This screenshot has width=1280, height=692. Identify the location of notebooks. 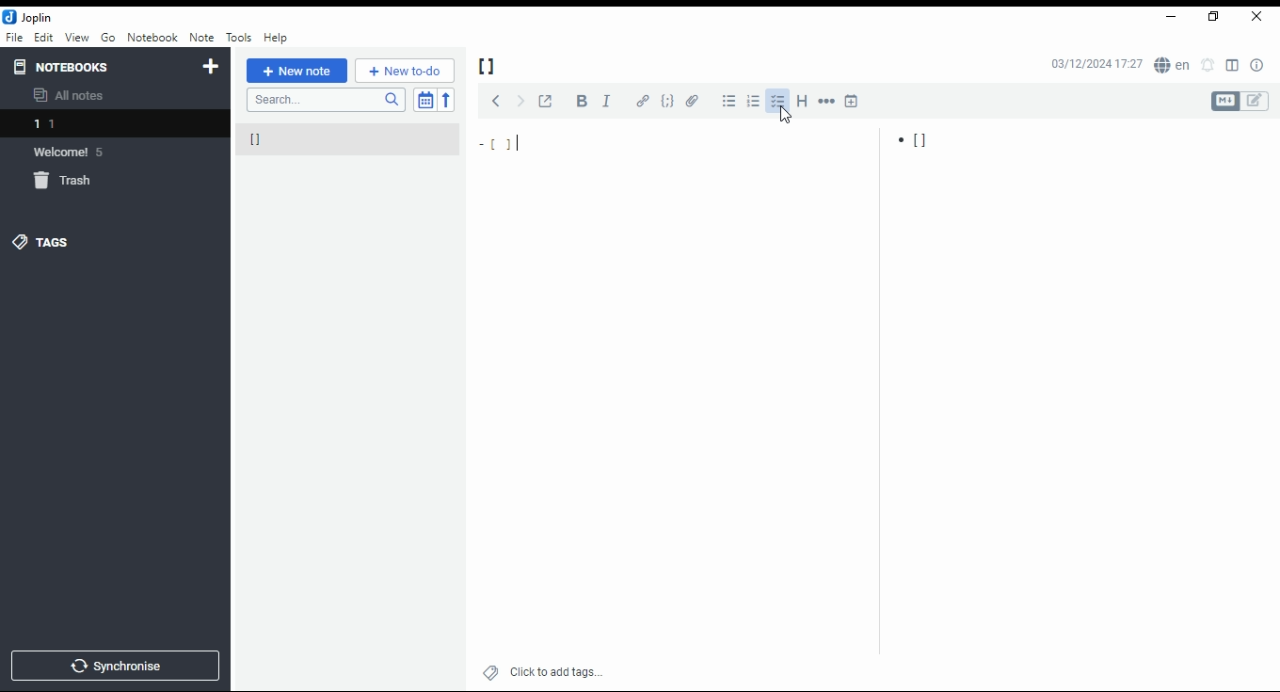
(73, 67).